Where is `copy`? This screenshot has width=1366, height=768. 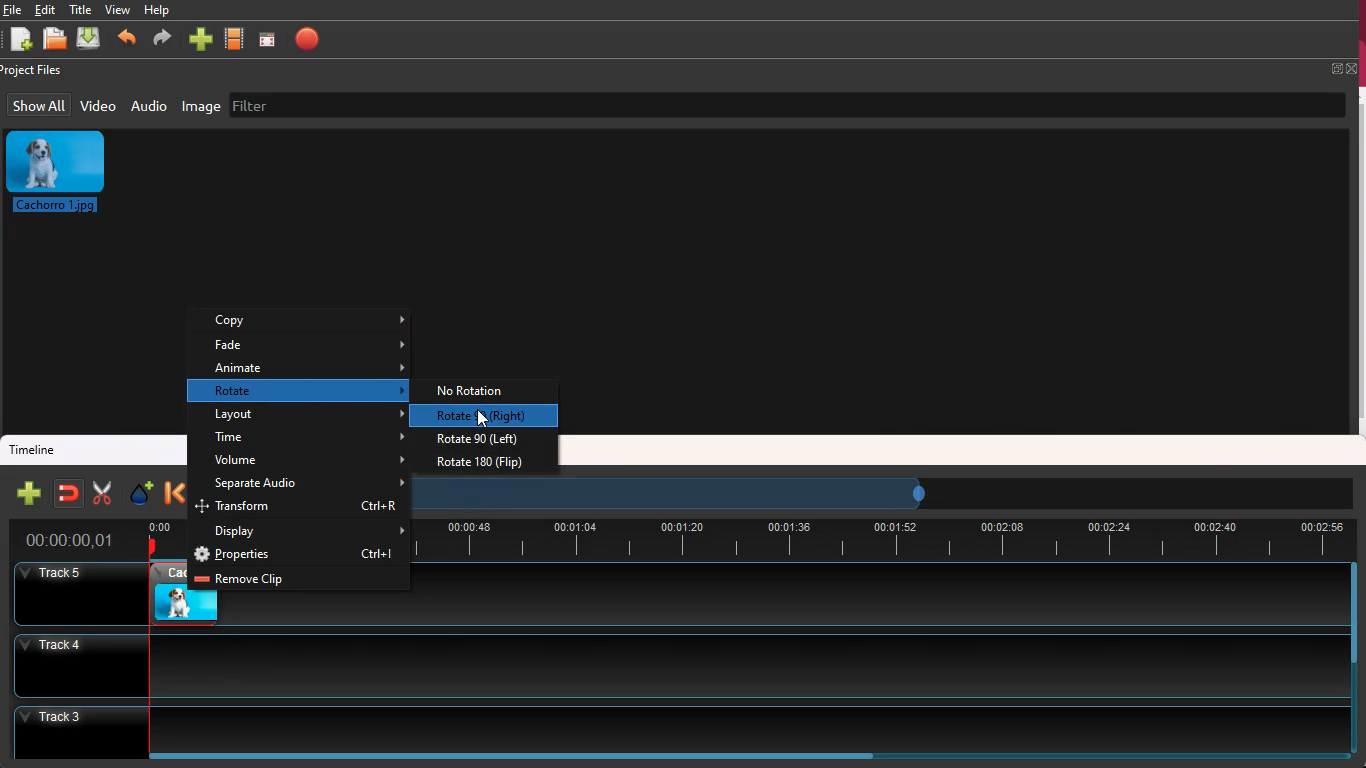 copy is located at coordinates (311, 318).